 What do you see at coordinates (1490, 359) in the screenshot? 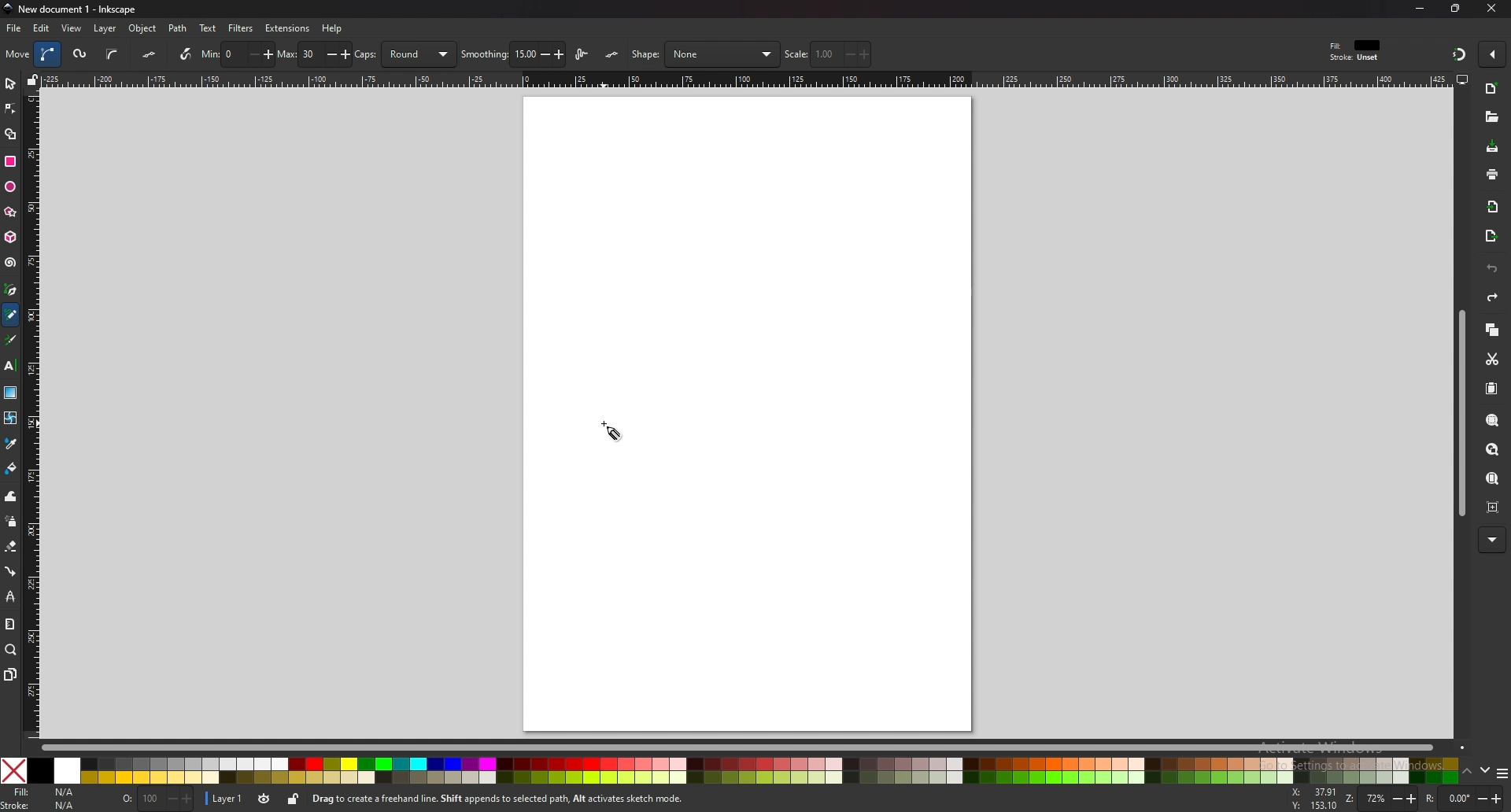
I see `cut` at bounding box center [1490, 359].